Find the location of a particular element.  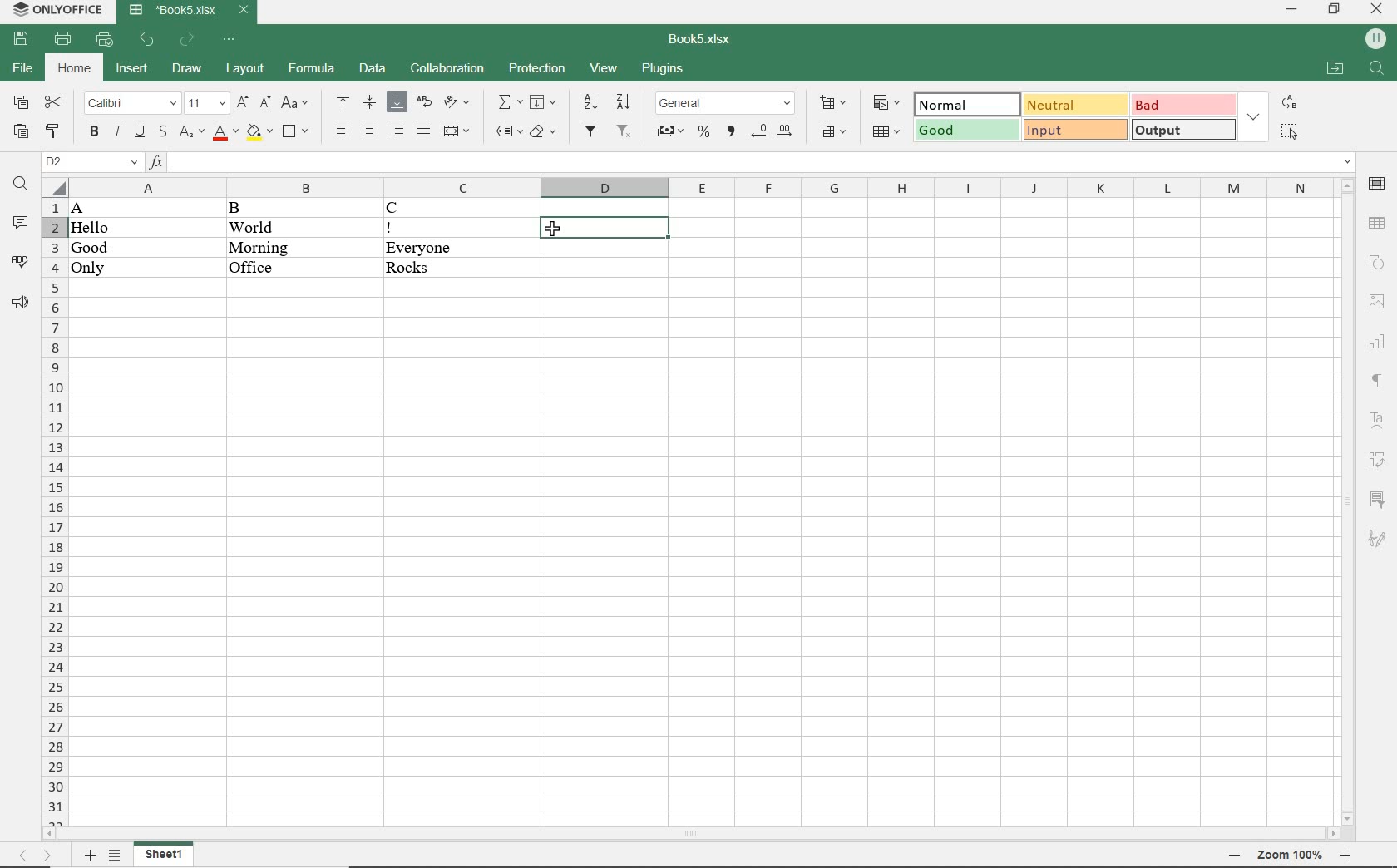

copy is located at coordinates (20, 104).